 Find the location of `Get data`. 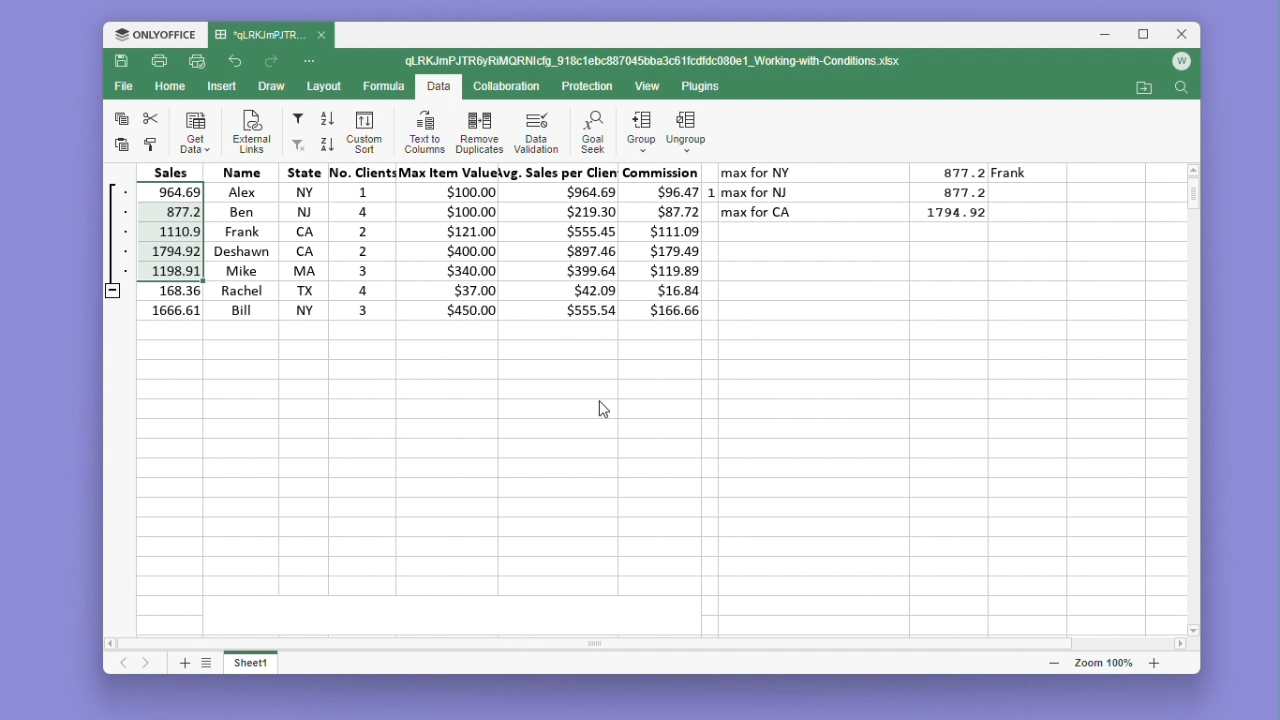

Get data is located at coordinates (196, 132).